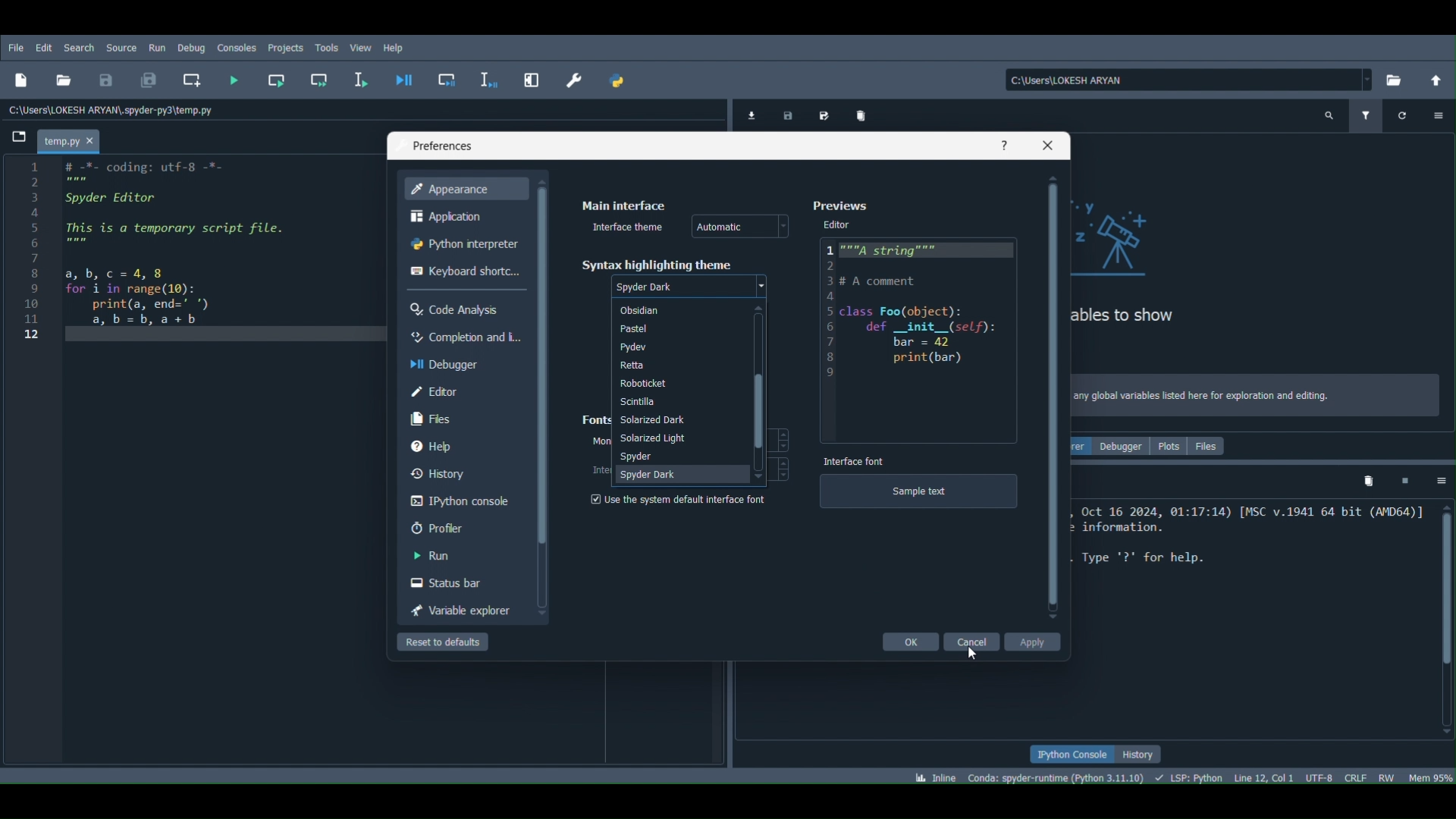 Image resolution: width=1456 pixels, height=819 pixels. I want to click on Browse a working directory, so click(1400, 76).